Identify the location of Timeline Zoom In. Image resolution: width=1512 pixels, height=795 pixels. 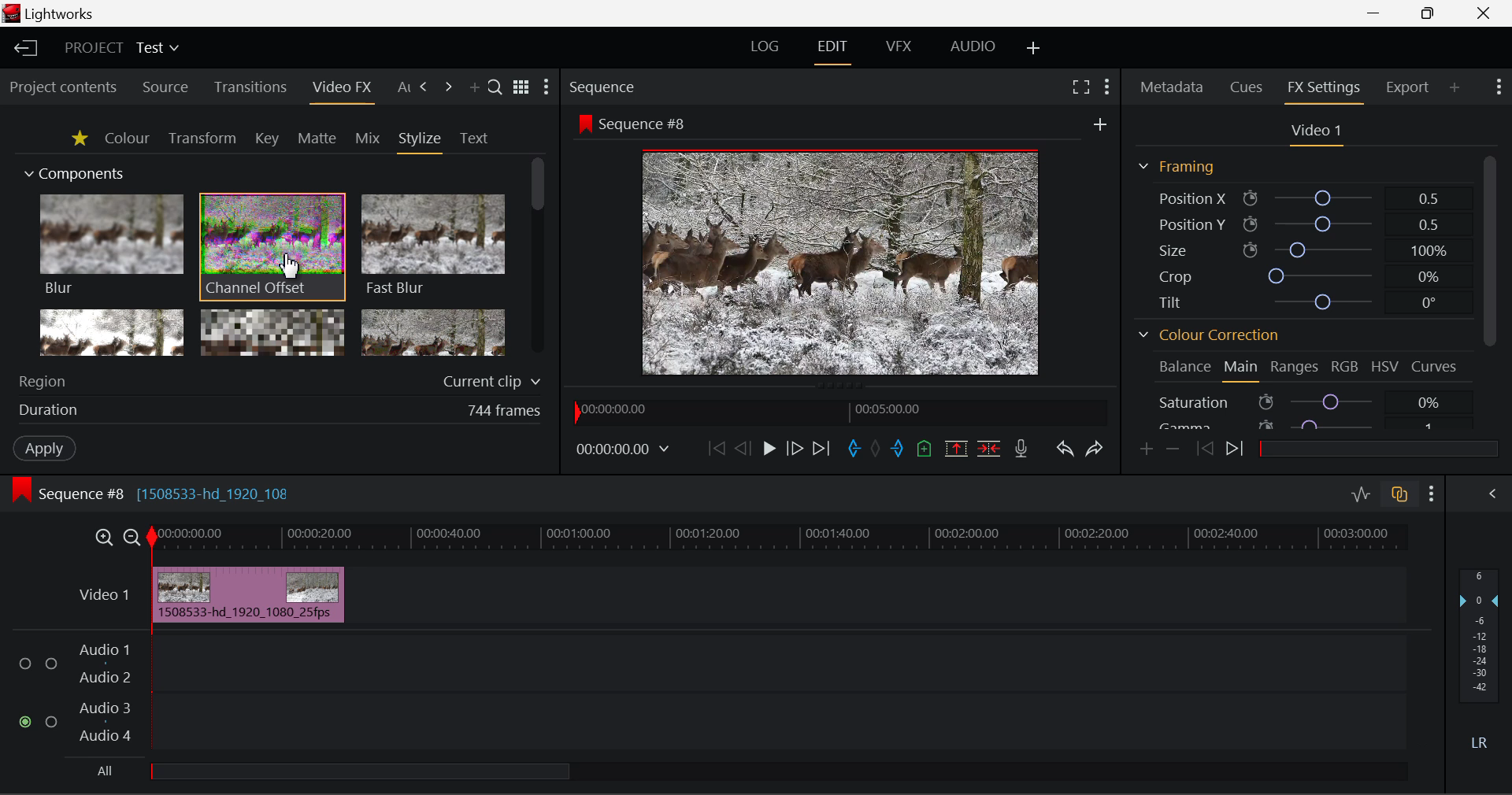
(103, 539).